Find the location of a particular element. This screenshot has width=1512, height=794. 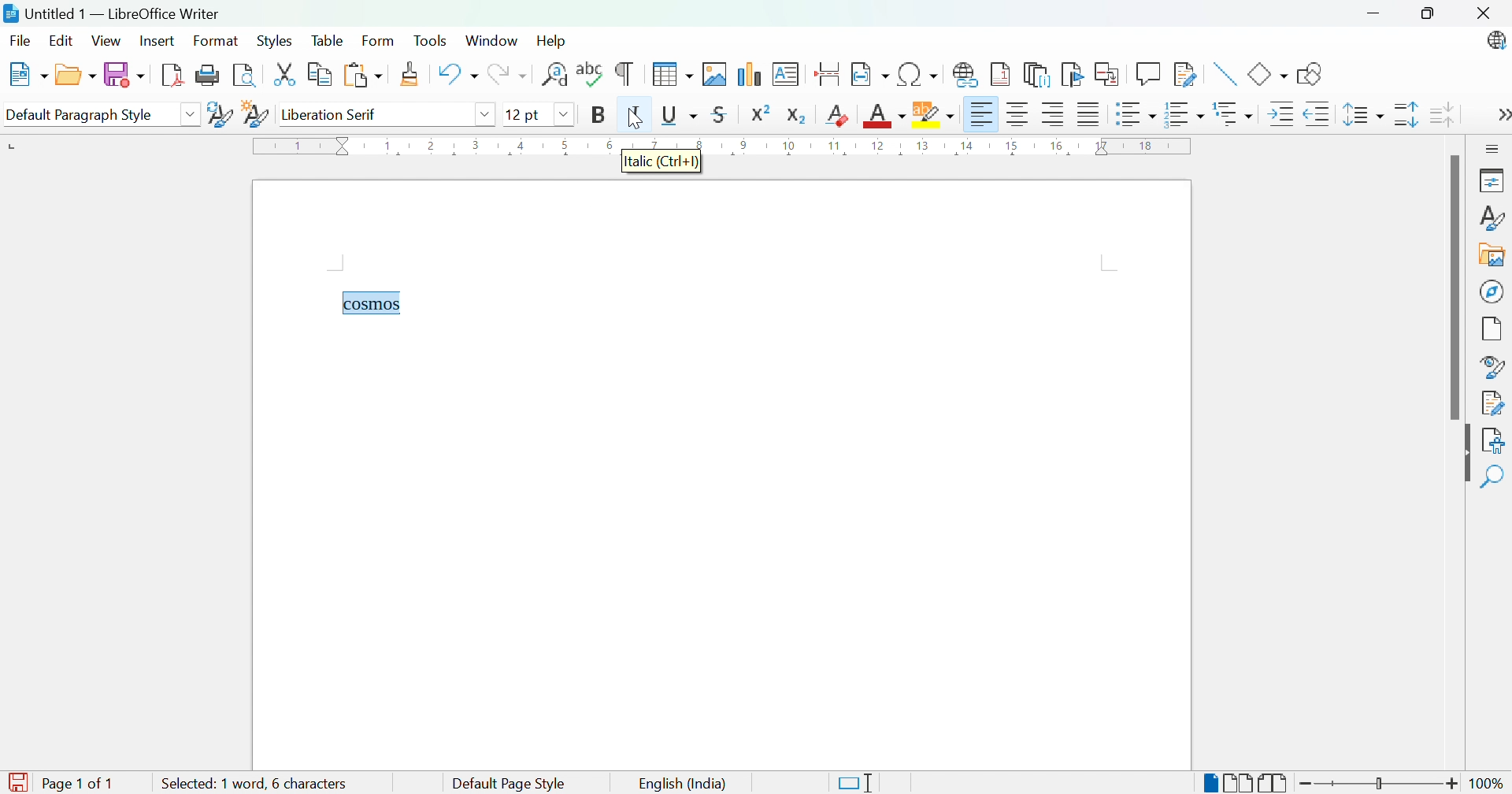

Manage changes is located at coordinates (1494, 404).